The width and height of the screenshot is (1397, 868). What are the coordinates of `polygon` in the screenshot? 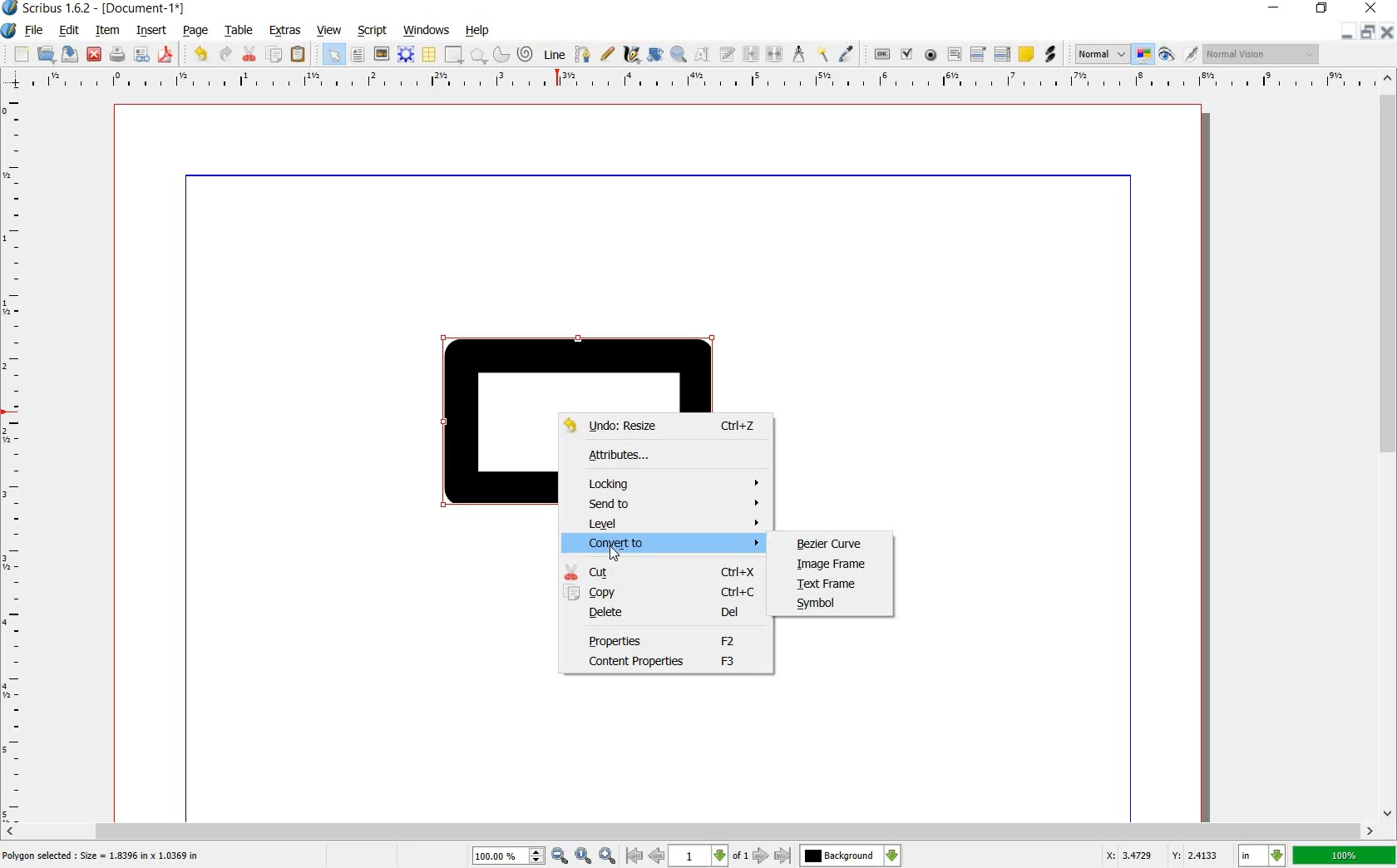 It's located at (478, 55).